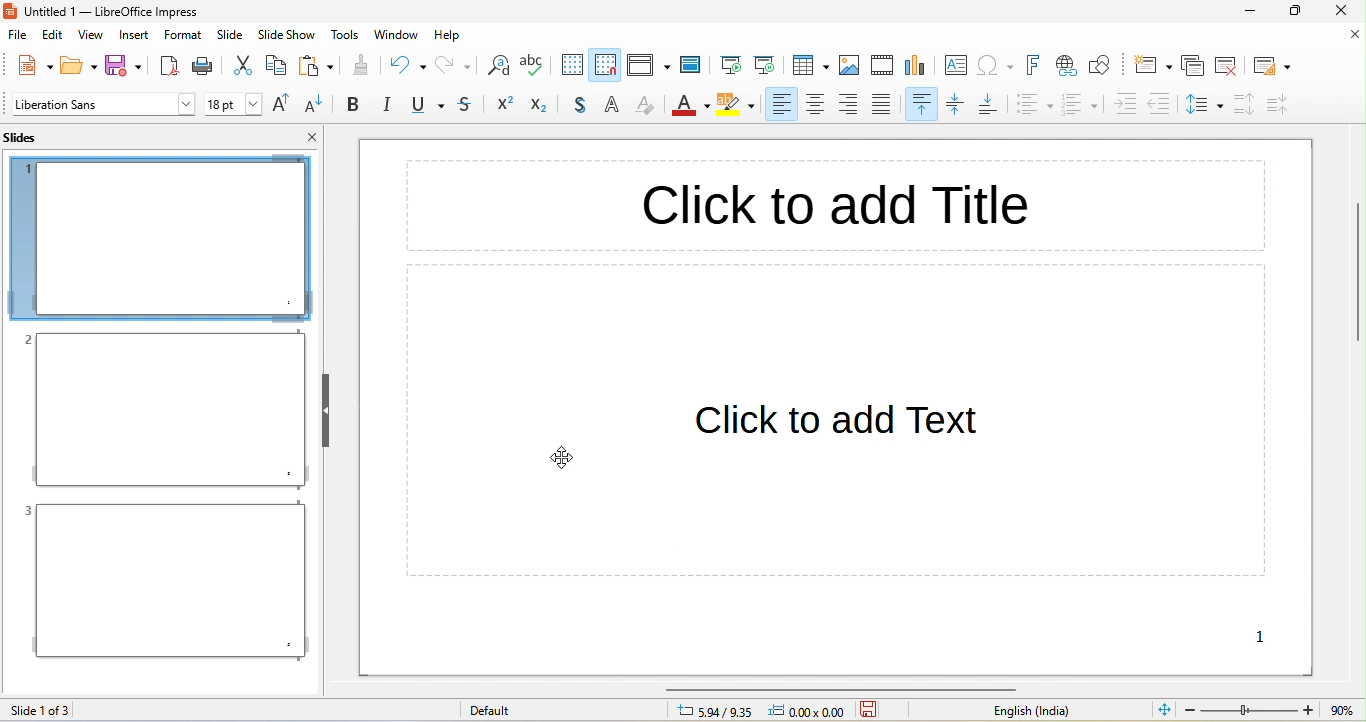 The width and height of the screenshot is (1366, 722). What do you see at coordinates (882, 64) in the screenshot?
I see `video` at bounding box center [882, 64].